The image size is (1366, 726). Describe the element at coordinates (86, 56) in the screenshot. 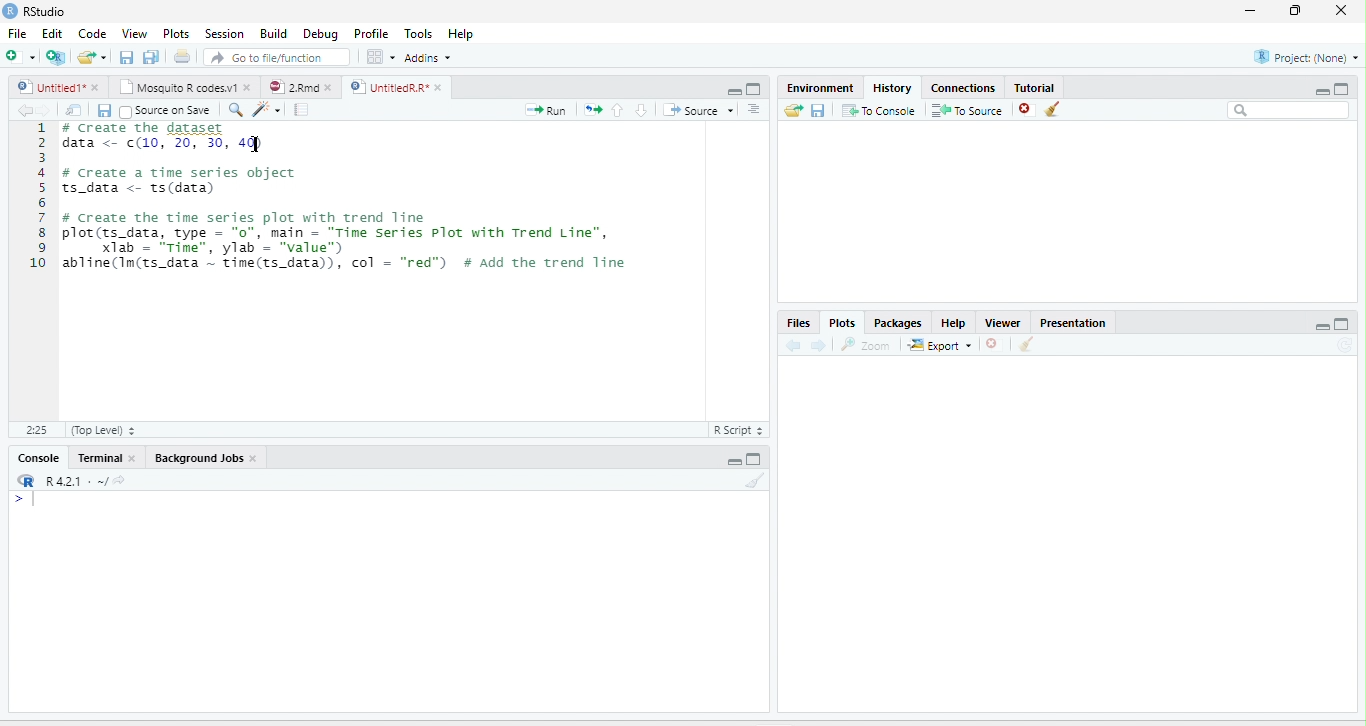

I see `Open an existing file` at that location.